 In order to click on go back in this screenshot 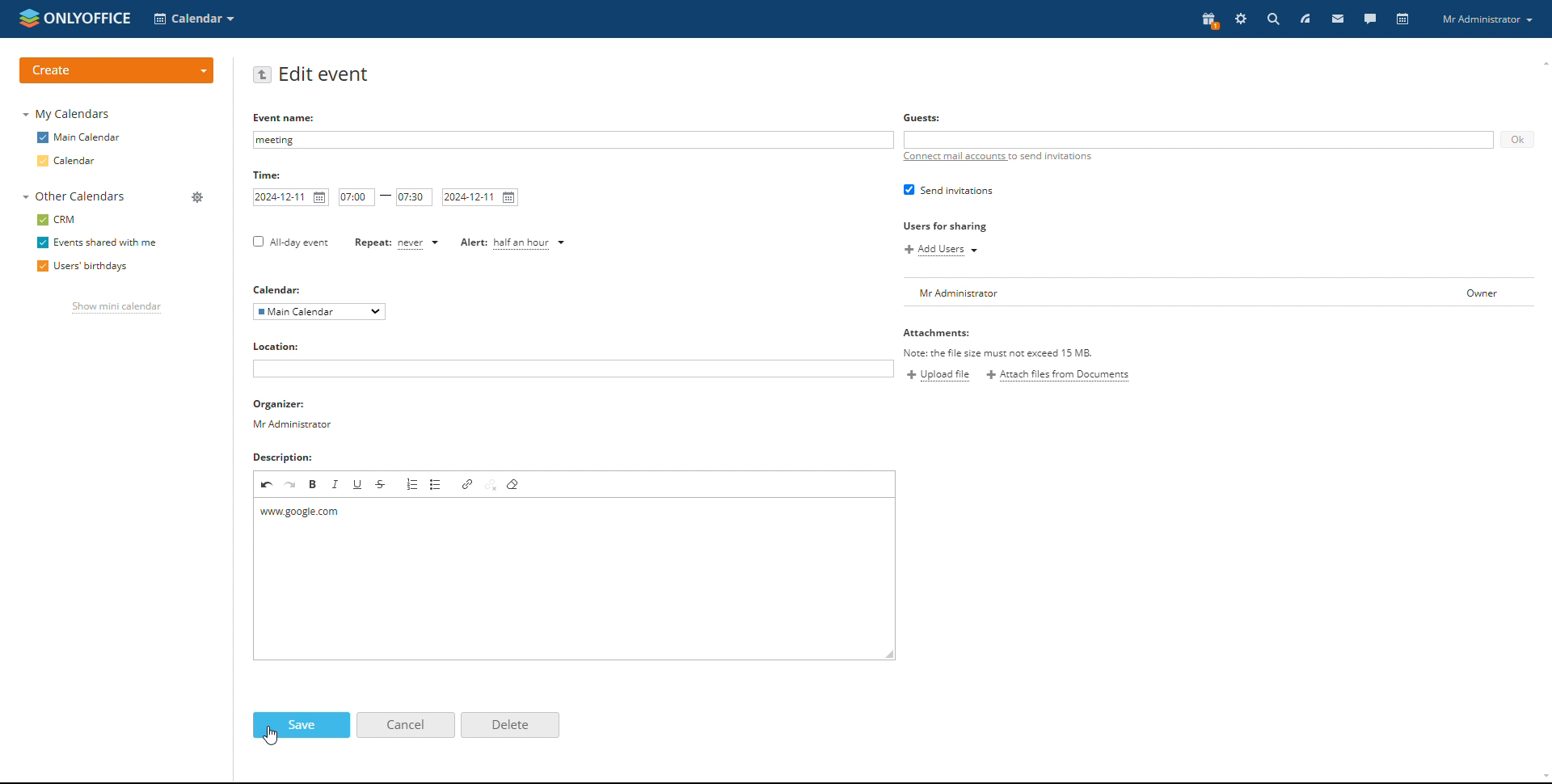, I will do `click(262, 75)`.